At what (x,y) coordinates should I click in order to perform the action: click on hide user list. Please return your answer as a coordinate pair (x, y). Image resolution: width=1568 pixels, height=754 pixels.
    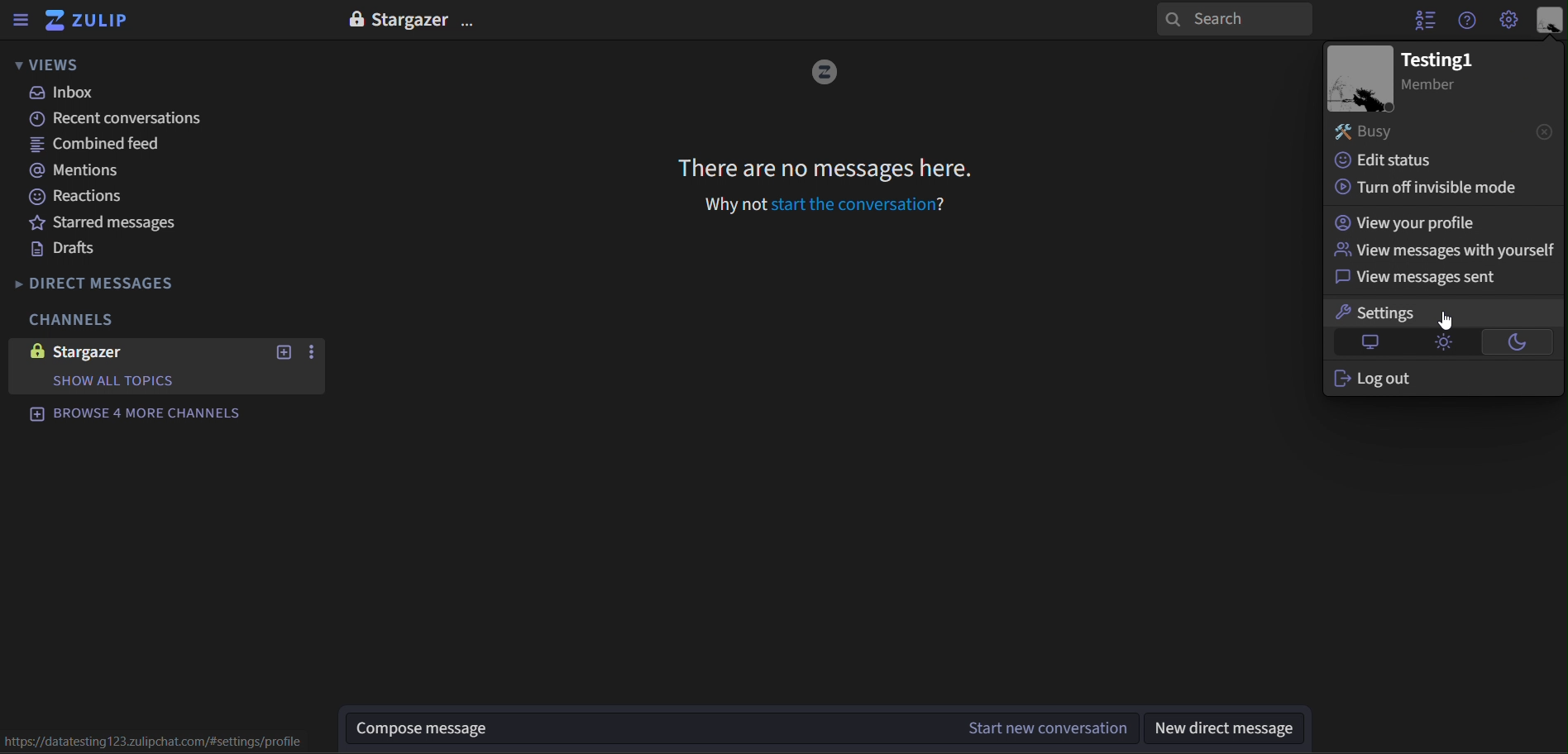
    Looking at the image, I should click on (1420, 22).